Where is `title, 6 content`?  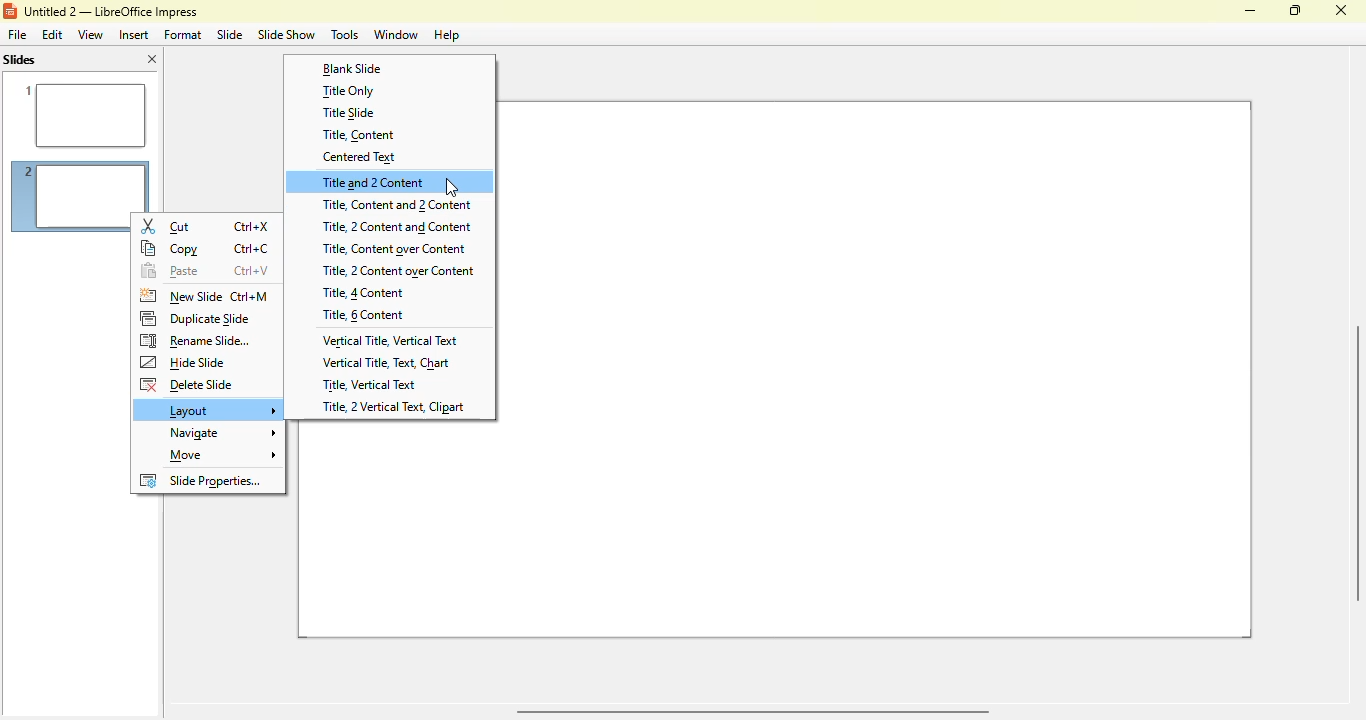 title, 6 content is located at coordinates (363, 315).